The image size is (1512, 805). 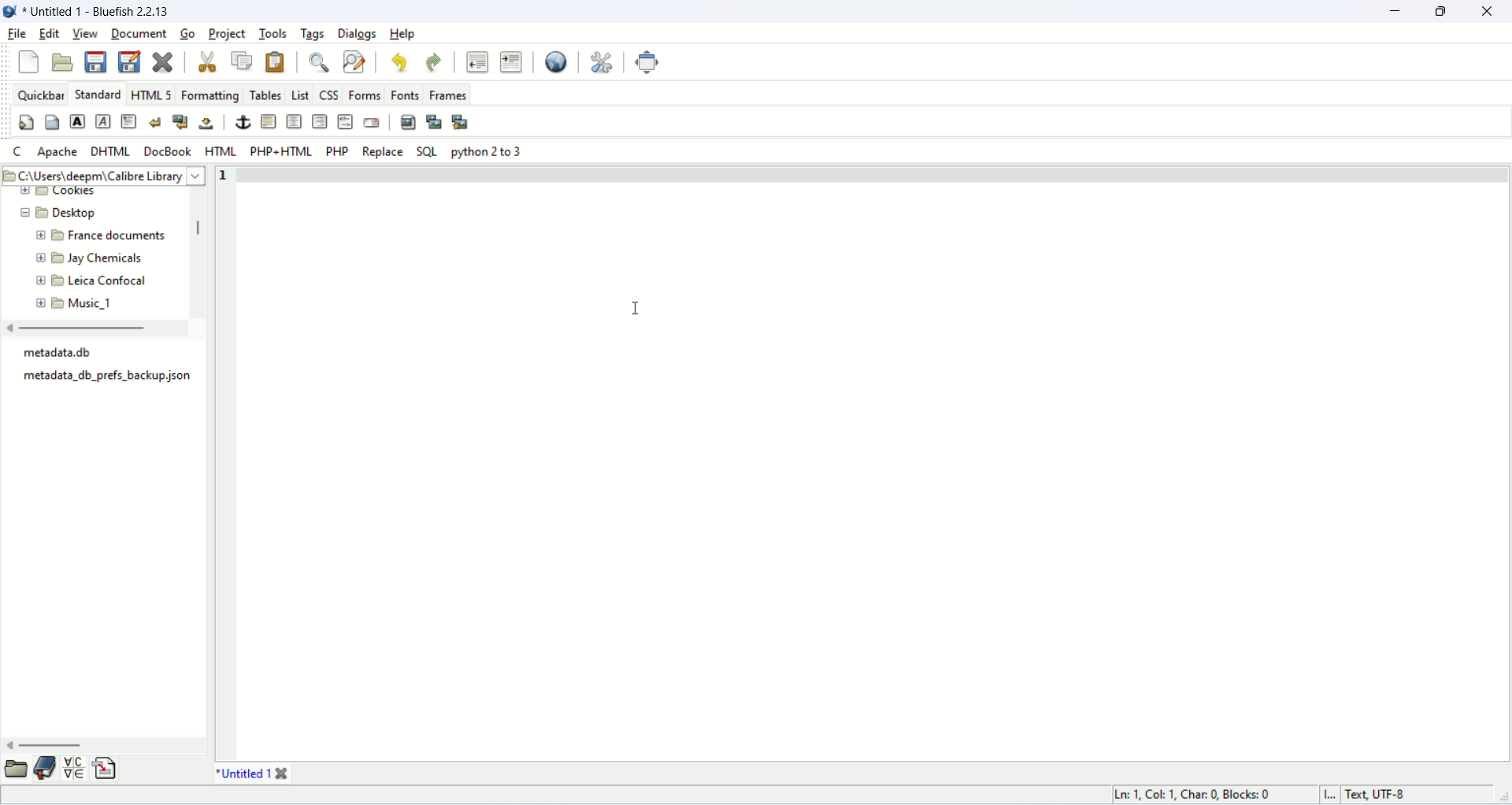 I want to click on redo, so click(x=435, y=62).